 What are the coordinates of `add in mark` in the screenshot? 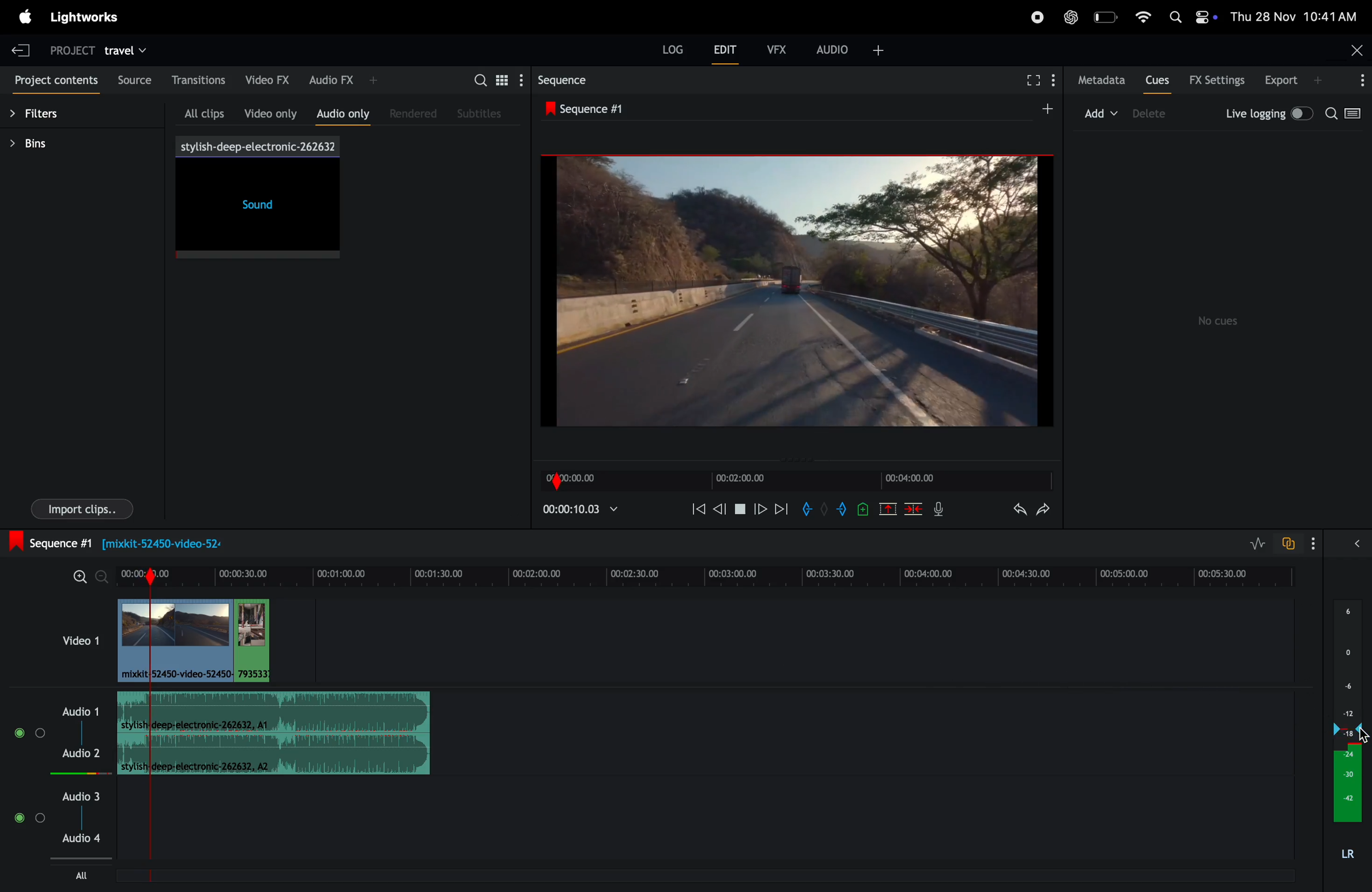 It's located at (808, 509).